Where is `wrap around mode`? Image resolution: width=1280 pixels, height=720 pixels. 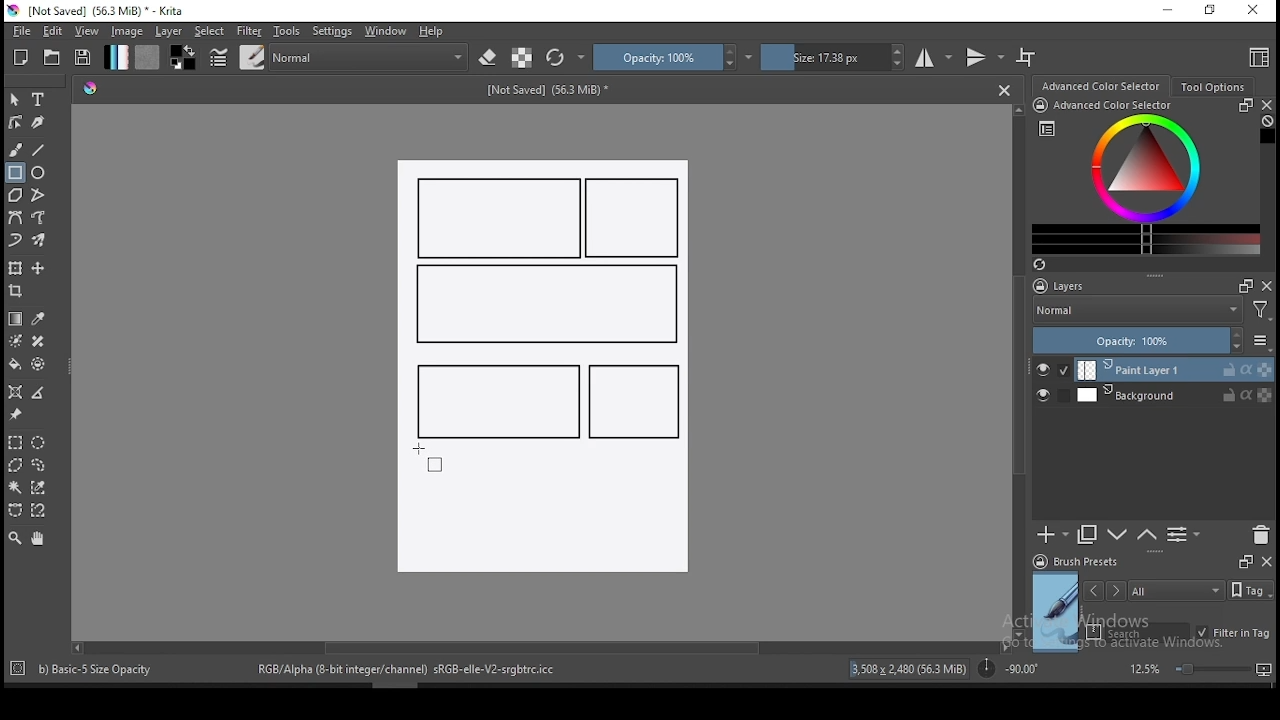 wrap around mode is located at coordinates (1027, 57).